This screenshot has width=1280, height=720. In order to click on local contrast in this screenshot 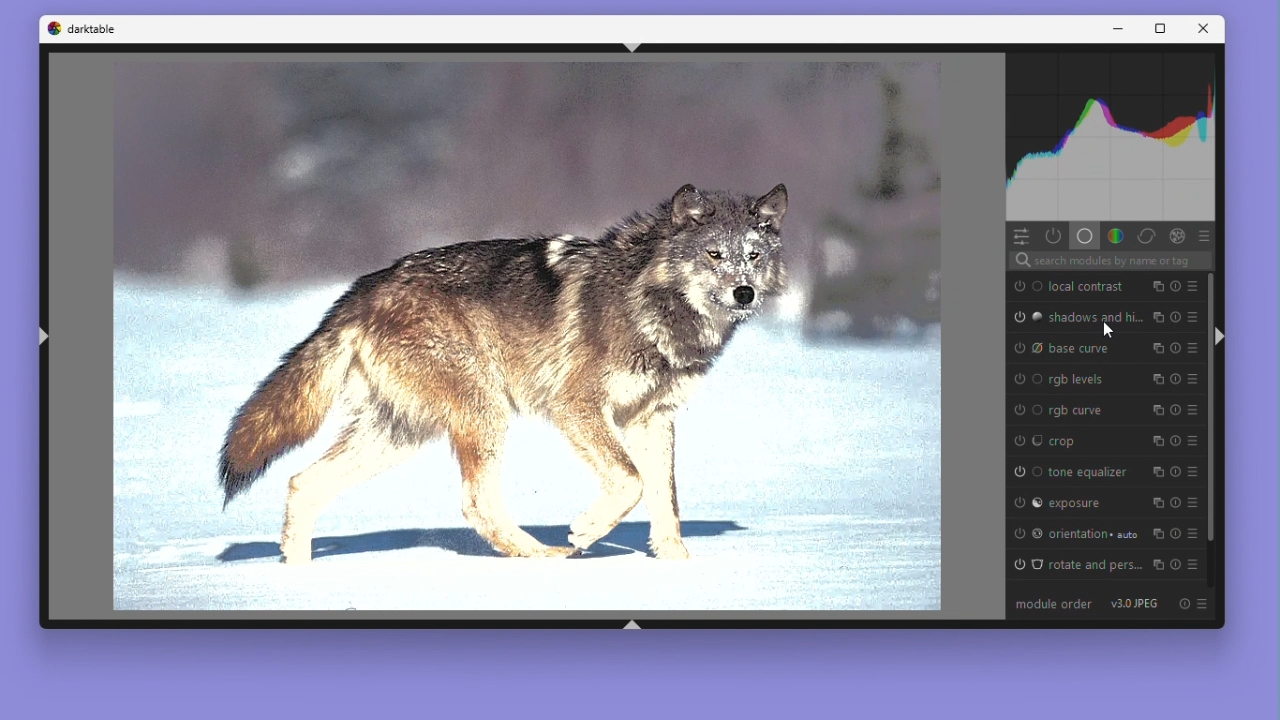, I will do `click(1086, 286)`.